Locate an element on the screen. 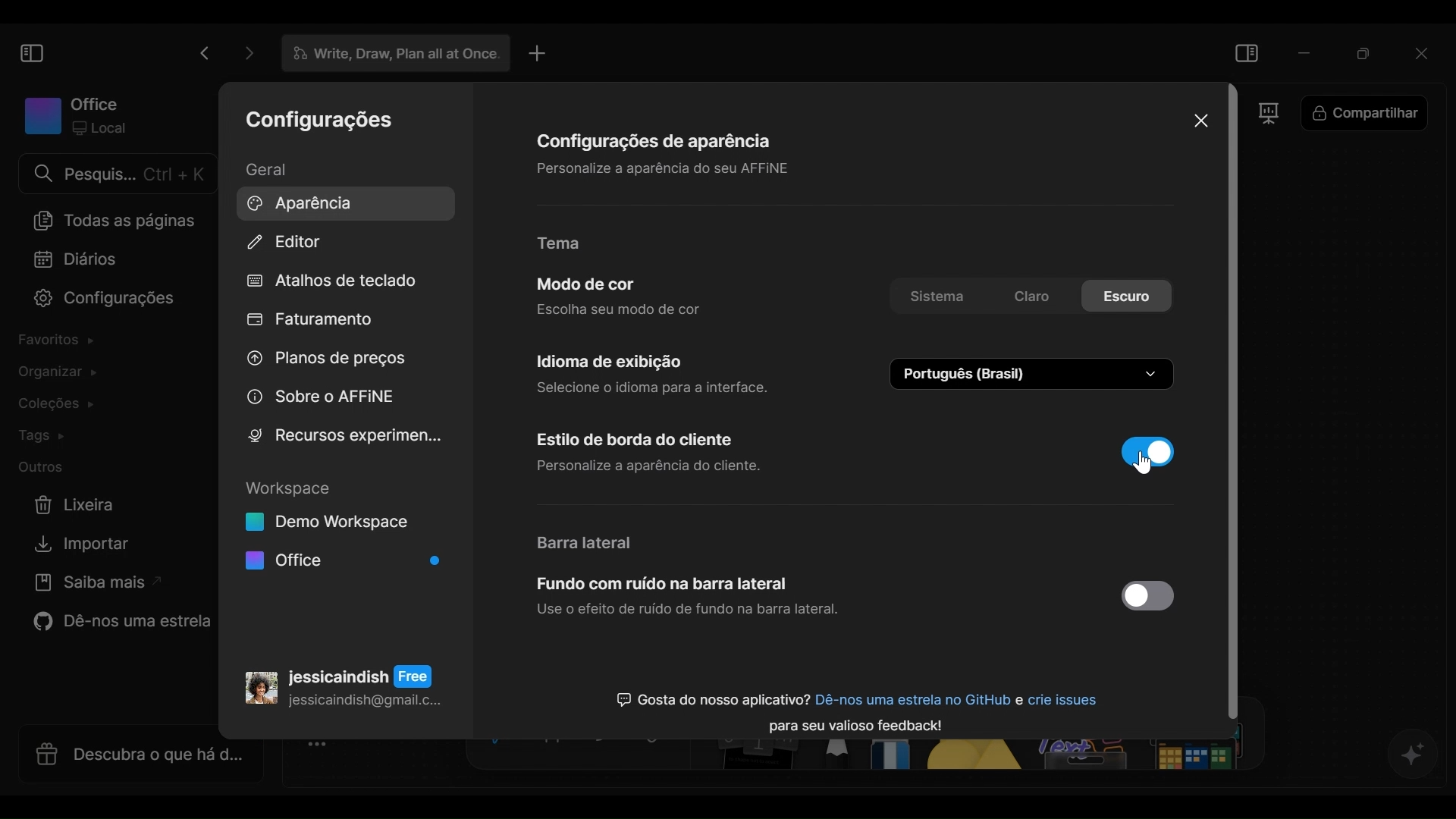 This screenshot has height=819, width=1456. Colections is located at coordinates (65, 404).